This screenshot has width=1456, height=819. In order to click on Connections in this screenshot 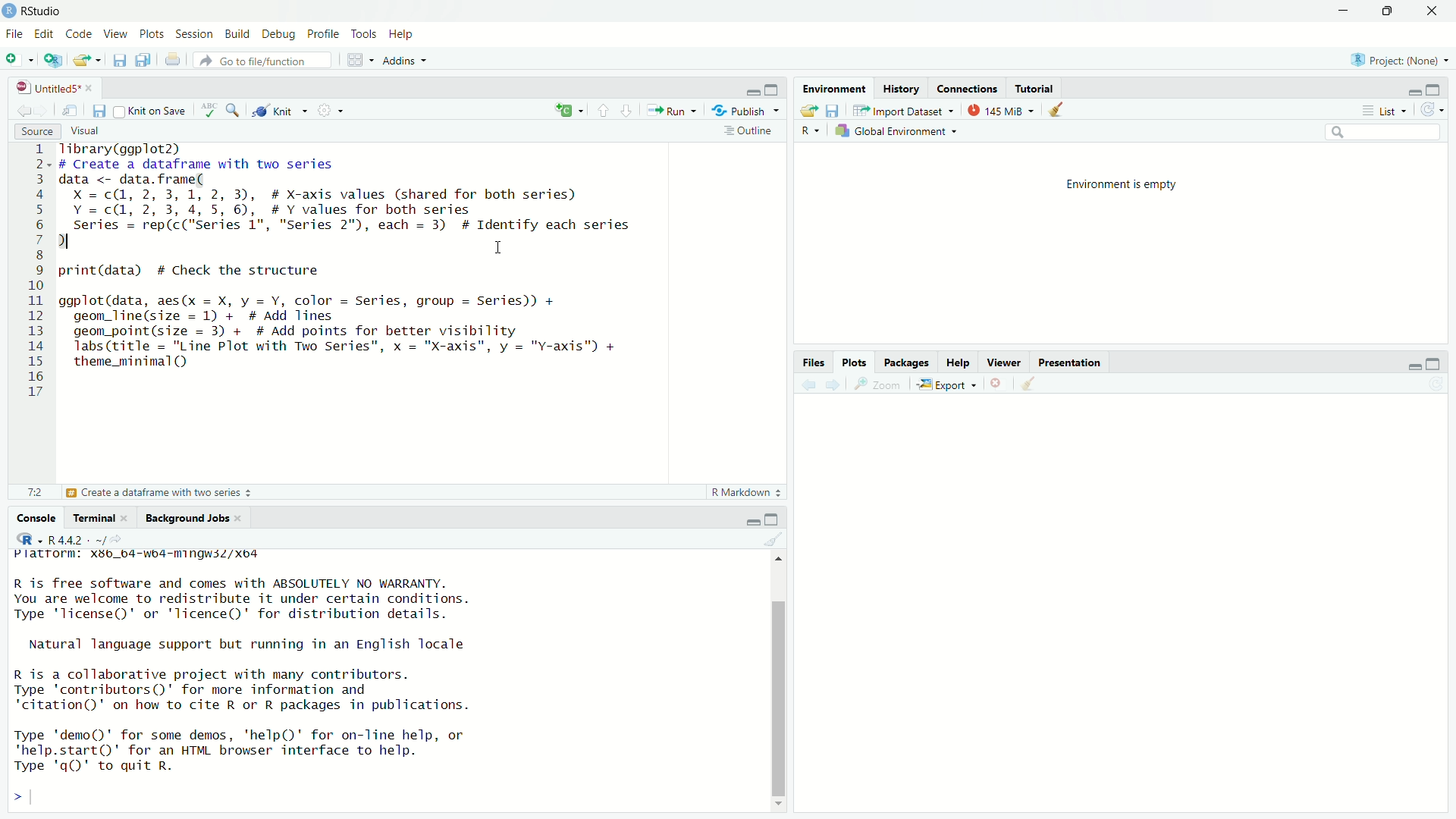, I will do `click(964, 88)`.